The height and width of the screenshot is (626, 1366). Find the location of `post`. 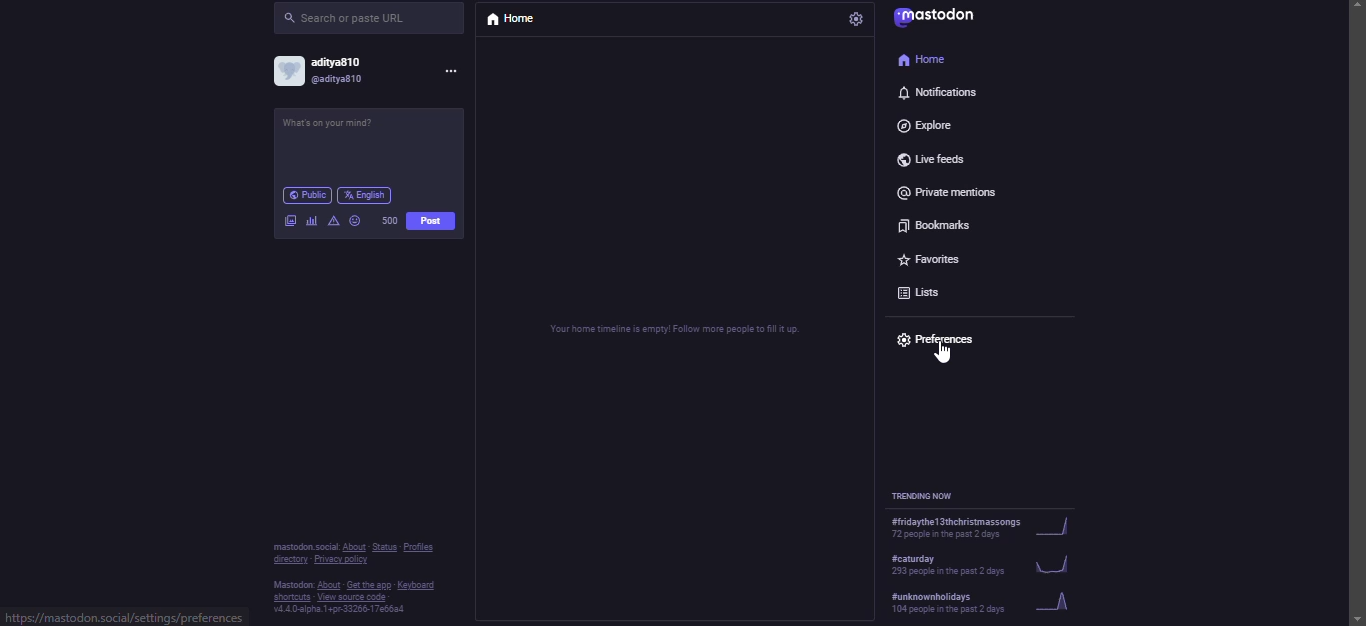

post is located at coordinates (435, 223).